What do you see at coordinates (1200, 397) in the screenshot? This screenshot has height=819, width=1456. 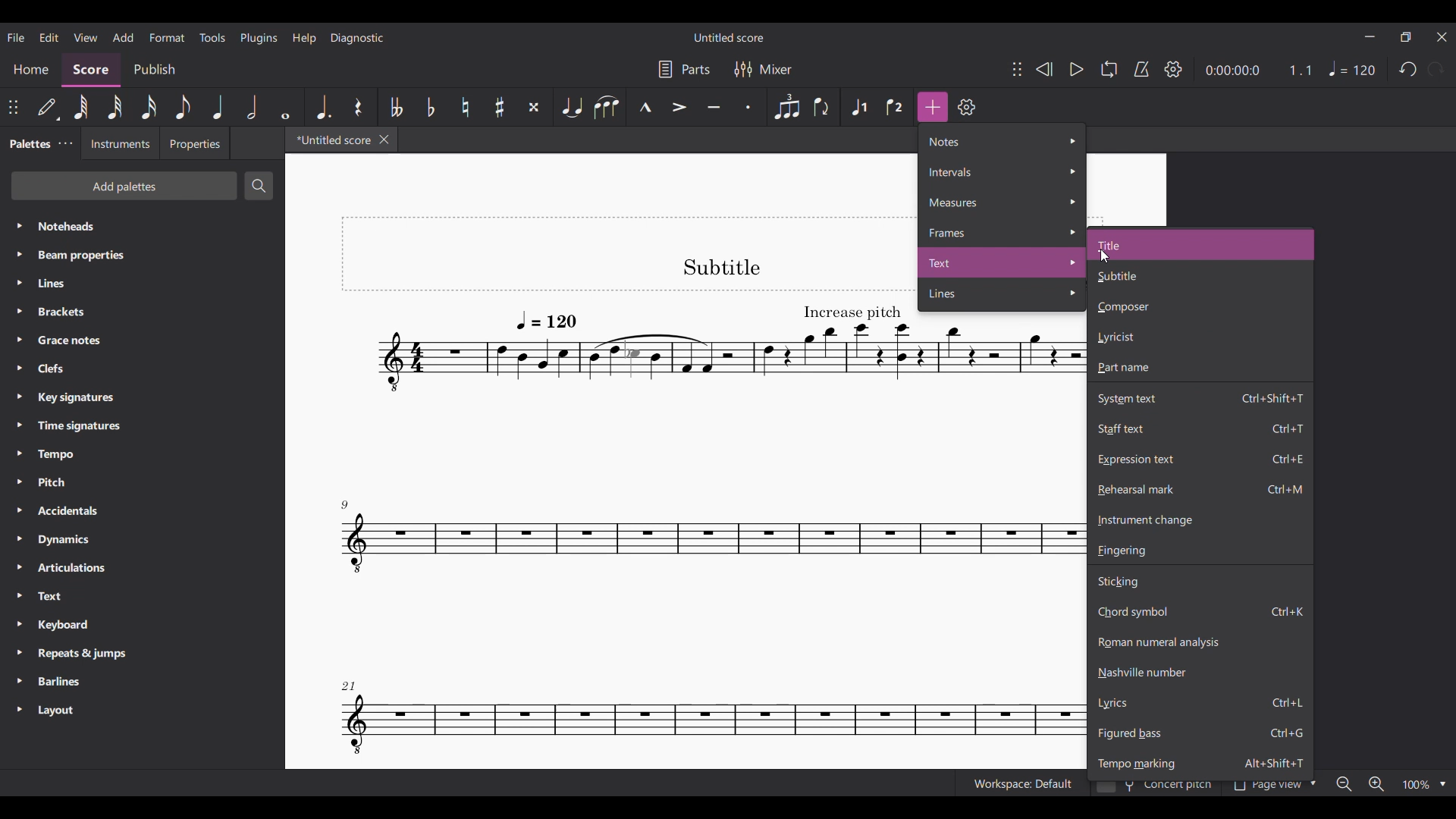 I see `System text` at bounding box center [1200, 397].